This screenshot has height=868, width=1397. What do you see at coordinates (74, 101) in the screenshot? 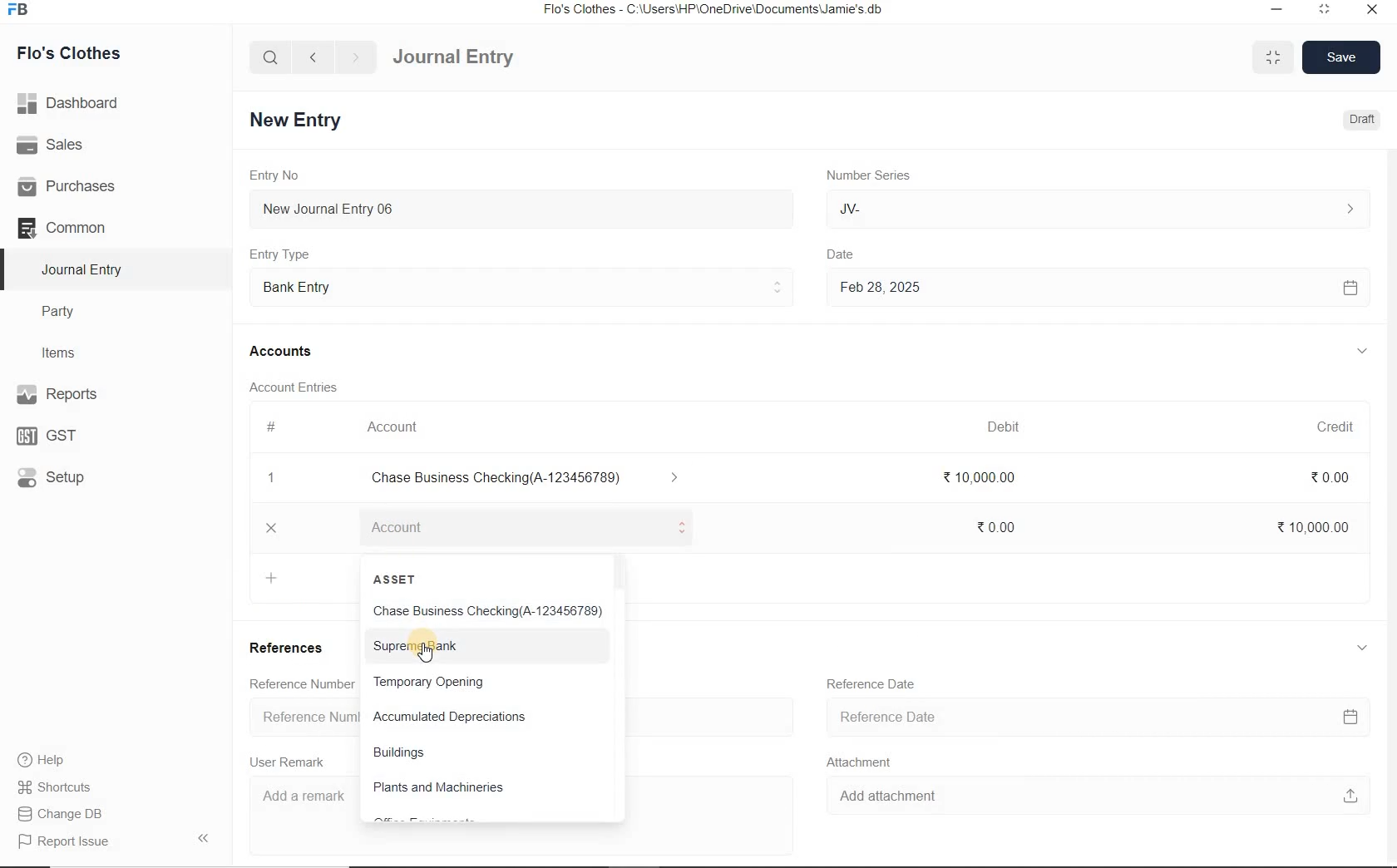
I see `Dashboard` at bounding box center [74, 101].